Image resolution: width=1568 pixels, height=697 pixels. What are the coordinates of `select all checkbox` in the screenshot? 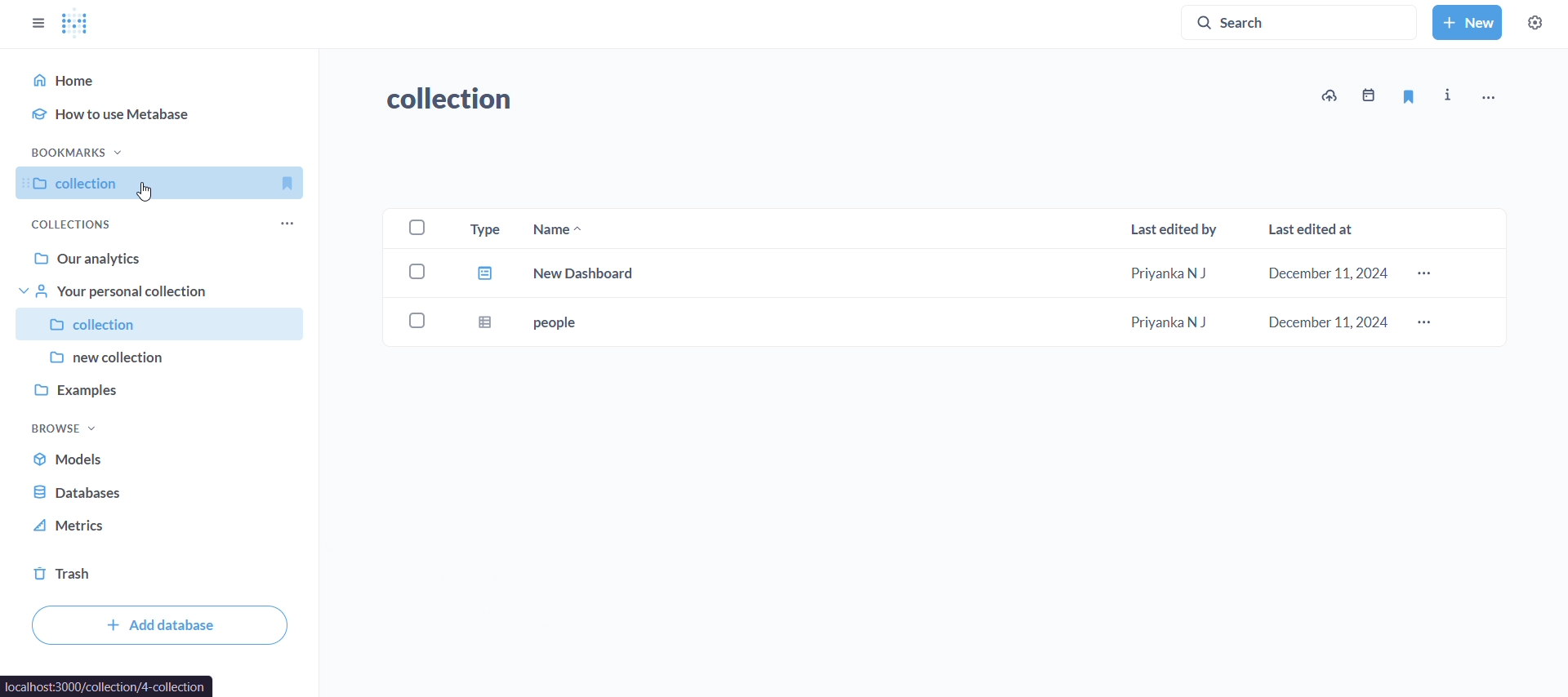 It's located at (414, 227).